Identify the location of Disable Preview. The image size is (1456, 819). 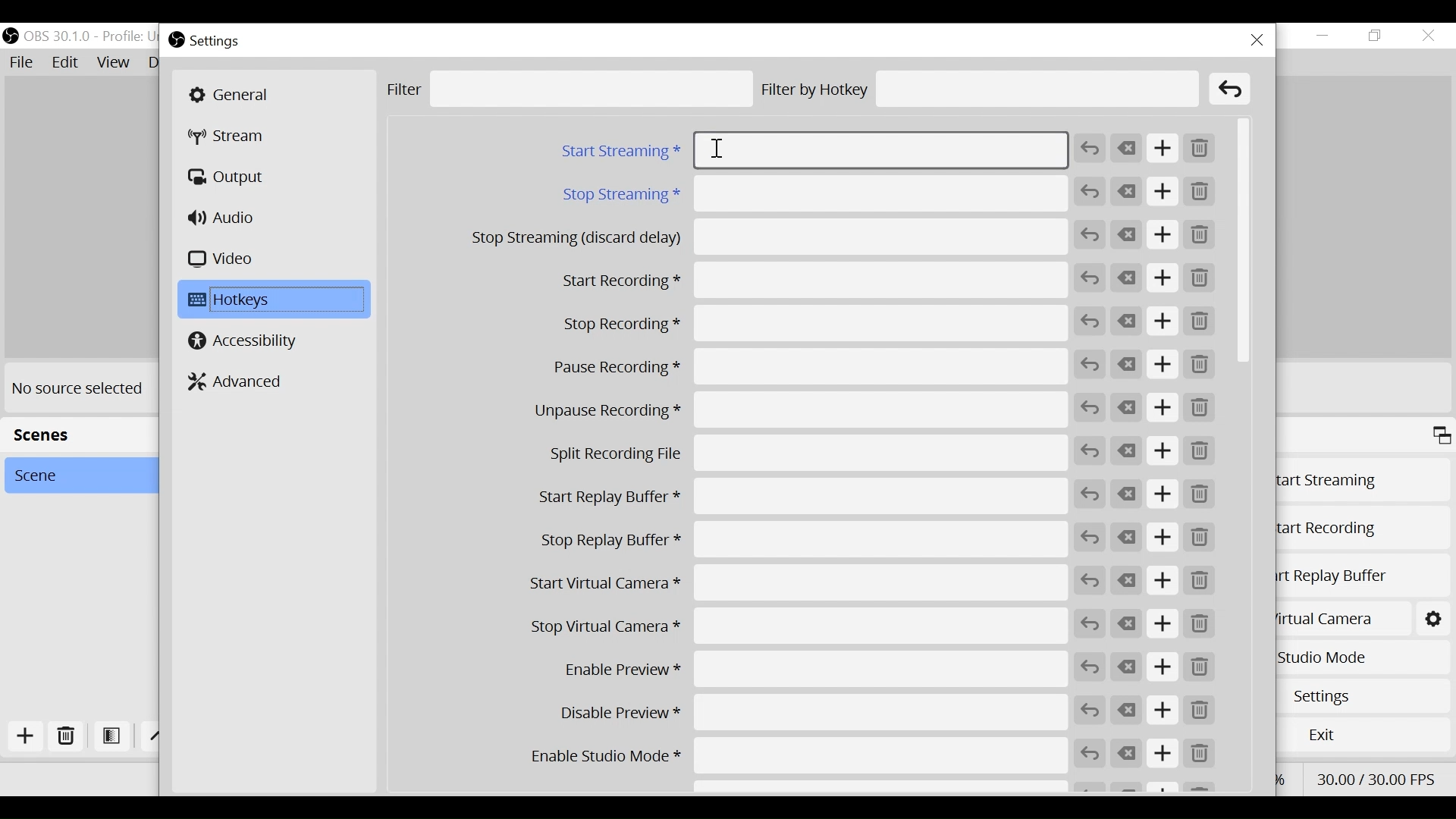
(799, 714).